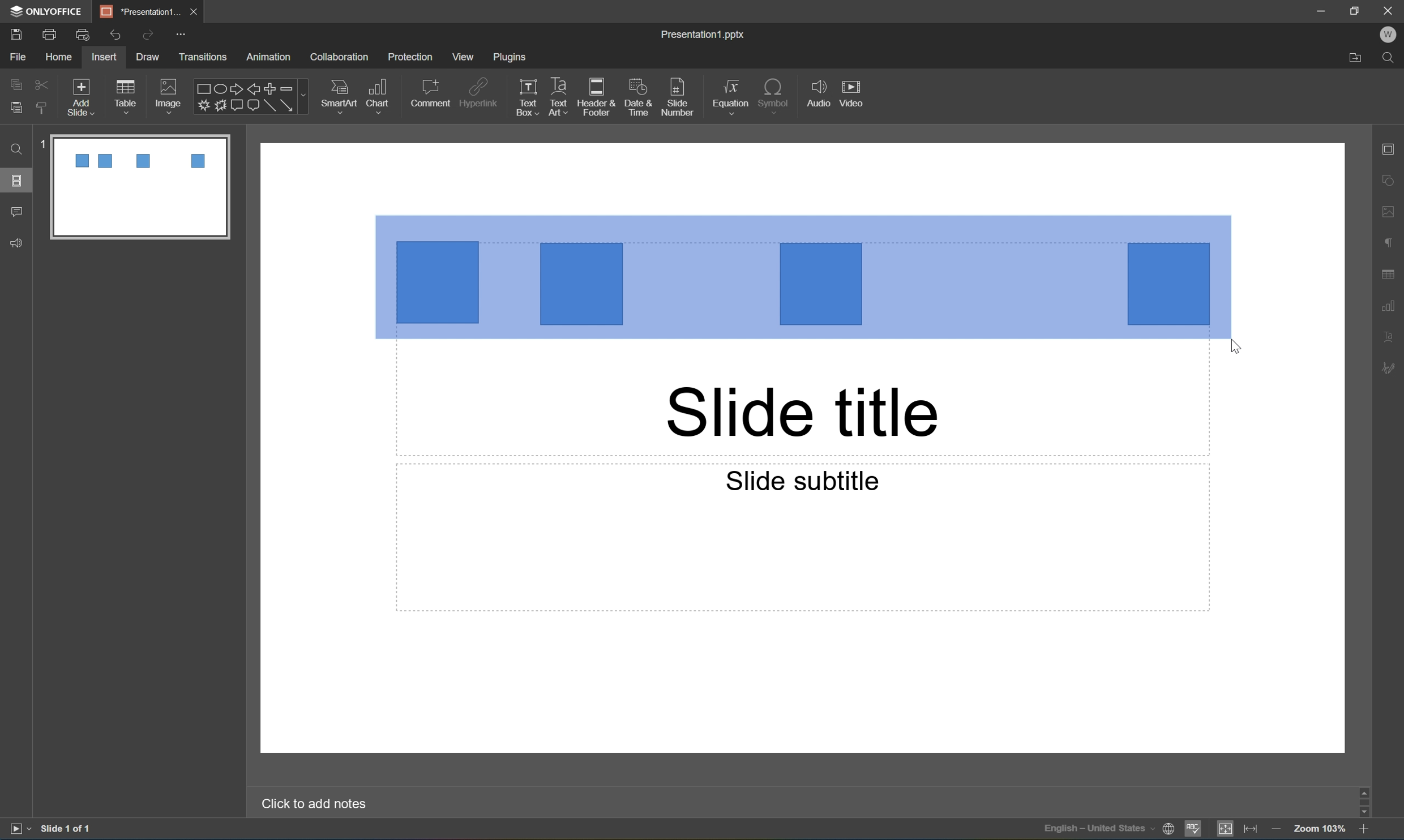  Describe the element at coordinates (273, 57) in the screenshot. I see `animation` at that location.